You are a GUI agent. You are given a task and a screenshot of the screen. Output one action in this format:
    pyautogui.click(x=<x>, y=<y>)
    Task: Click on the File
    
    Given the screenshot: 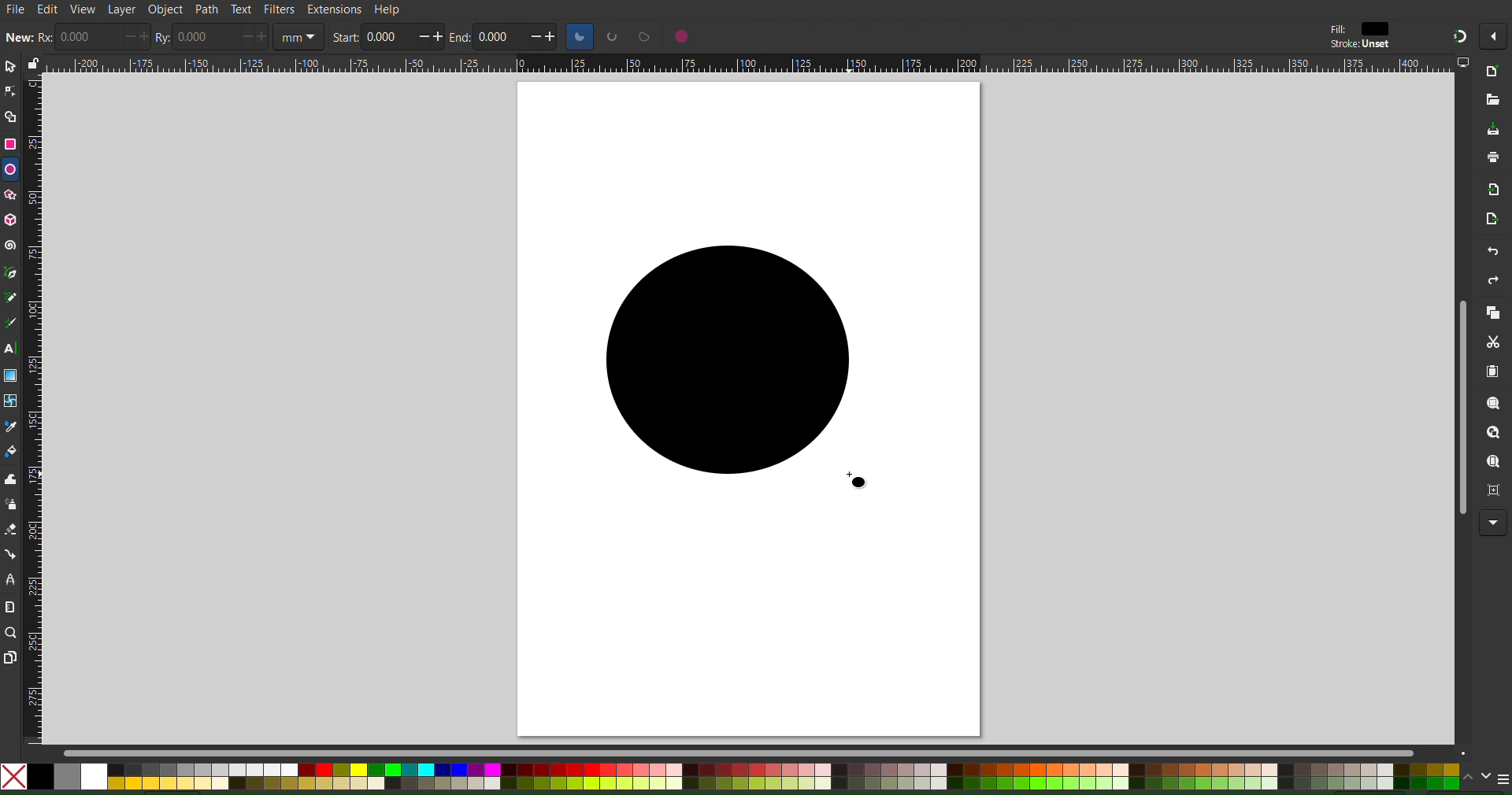 What is the action you would take?
    pyautogui.click(x=15, y=10)
    